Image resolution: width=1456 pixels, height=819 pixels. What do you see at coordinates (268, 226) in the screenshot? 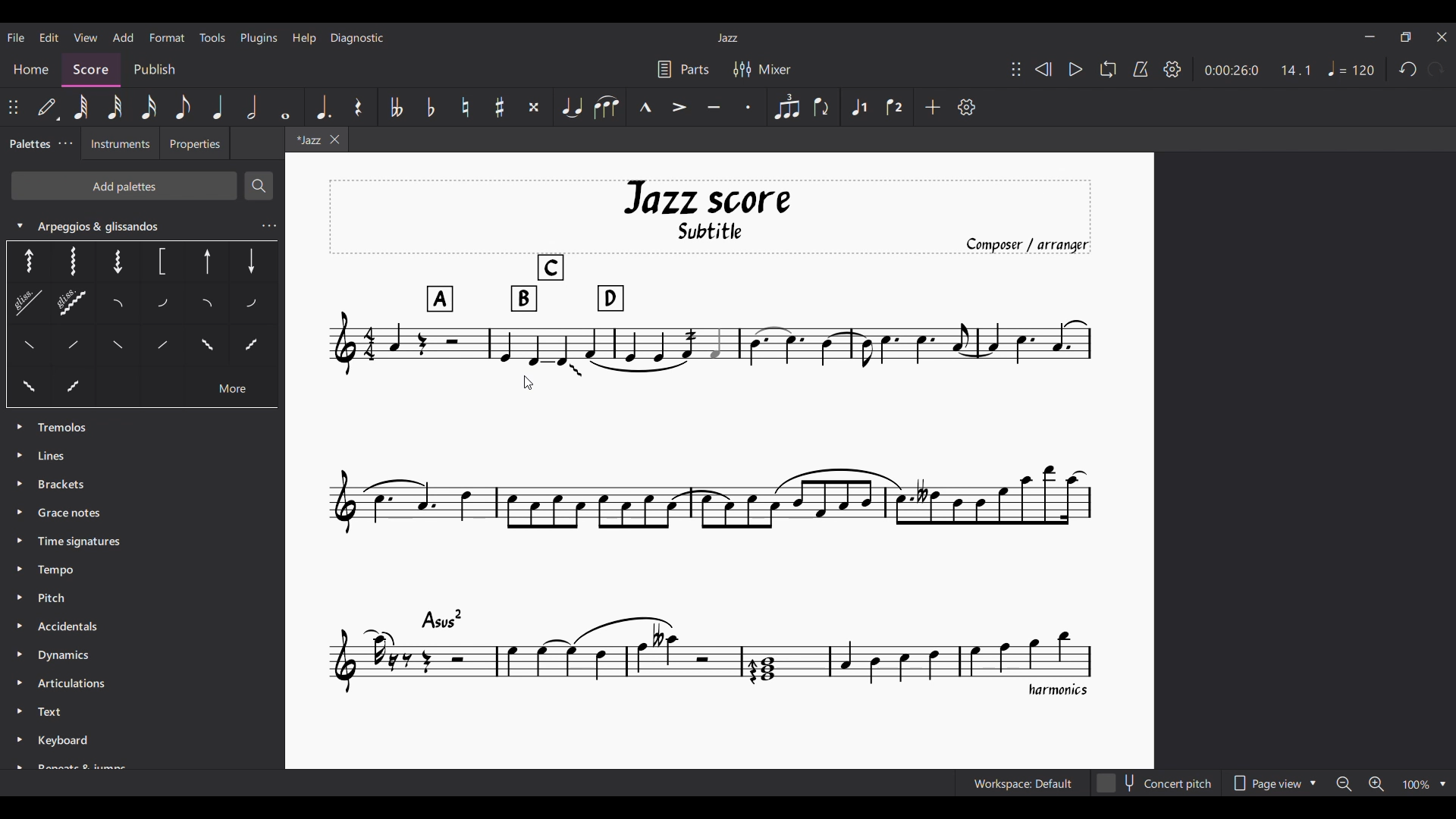
I see `Setting of current palette selected` at bounding box center [268, 226].